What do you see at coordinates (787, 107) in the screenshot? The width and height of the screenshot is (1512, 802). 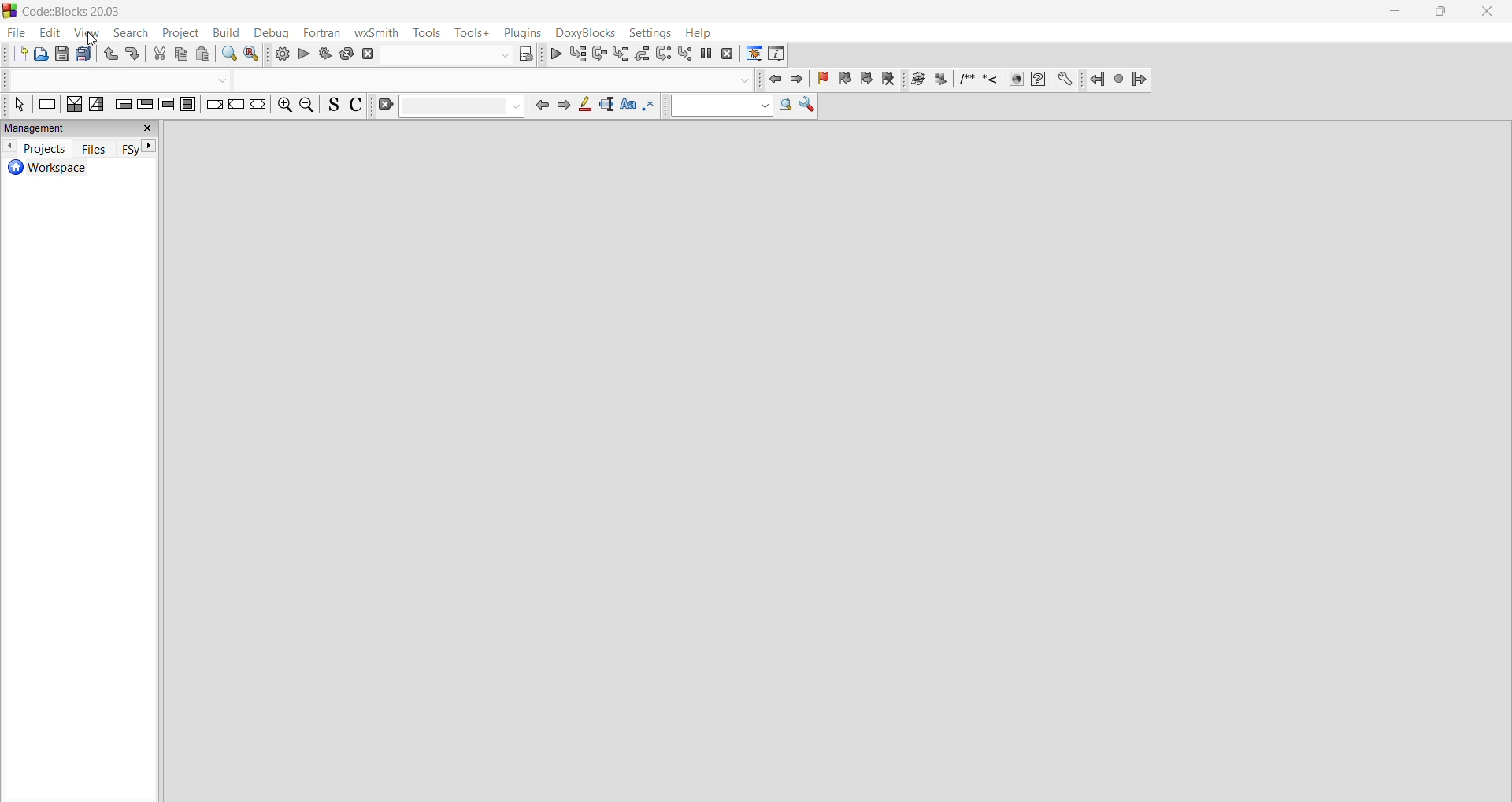 I see `run search` at bounding box center [787, 107].